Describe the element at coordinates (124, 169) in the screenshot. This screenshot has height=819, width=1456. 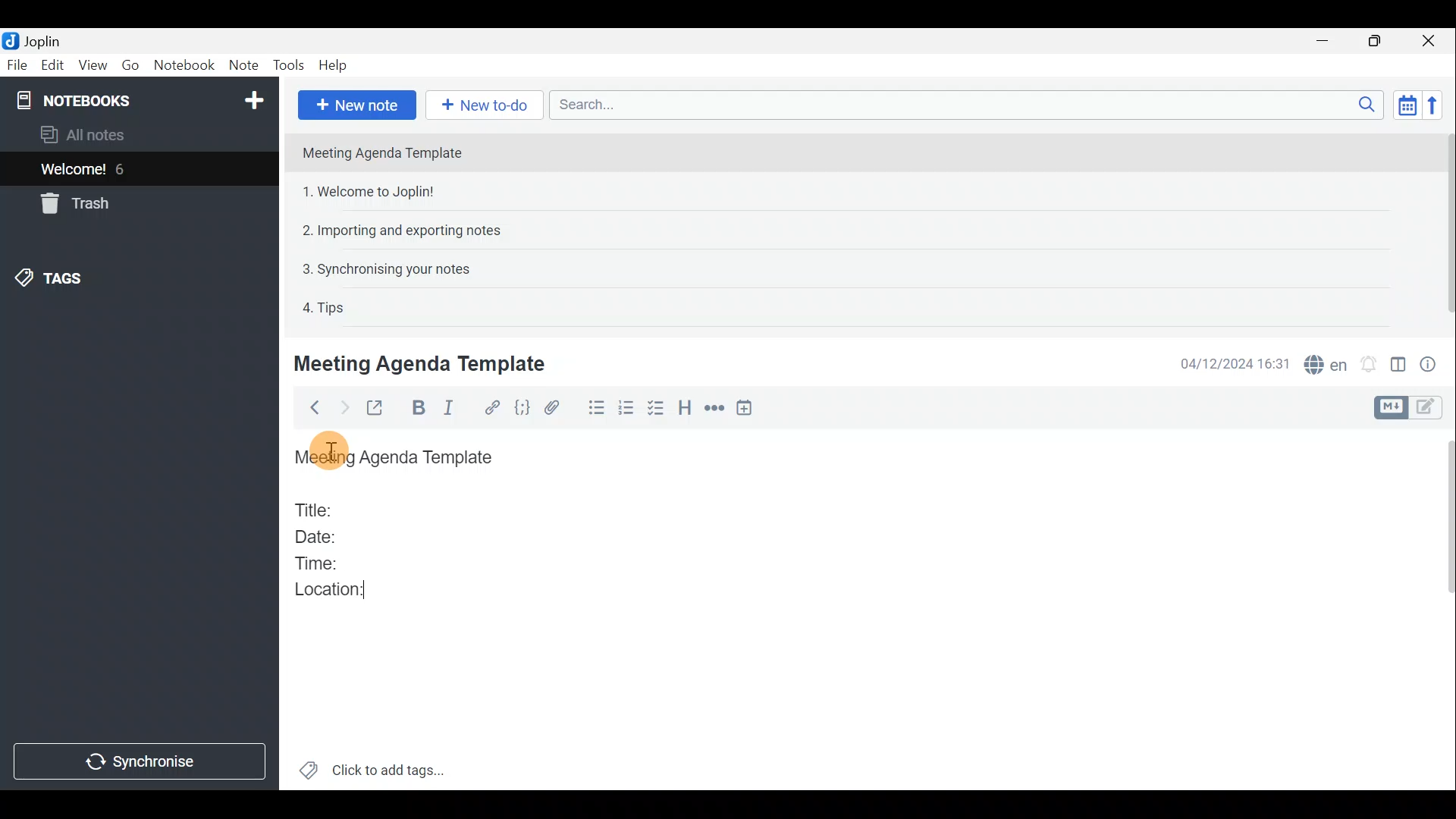
I see `6` at that location.